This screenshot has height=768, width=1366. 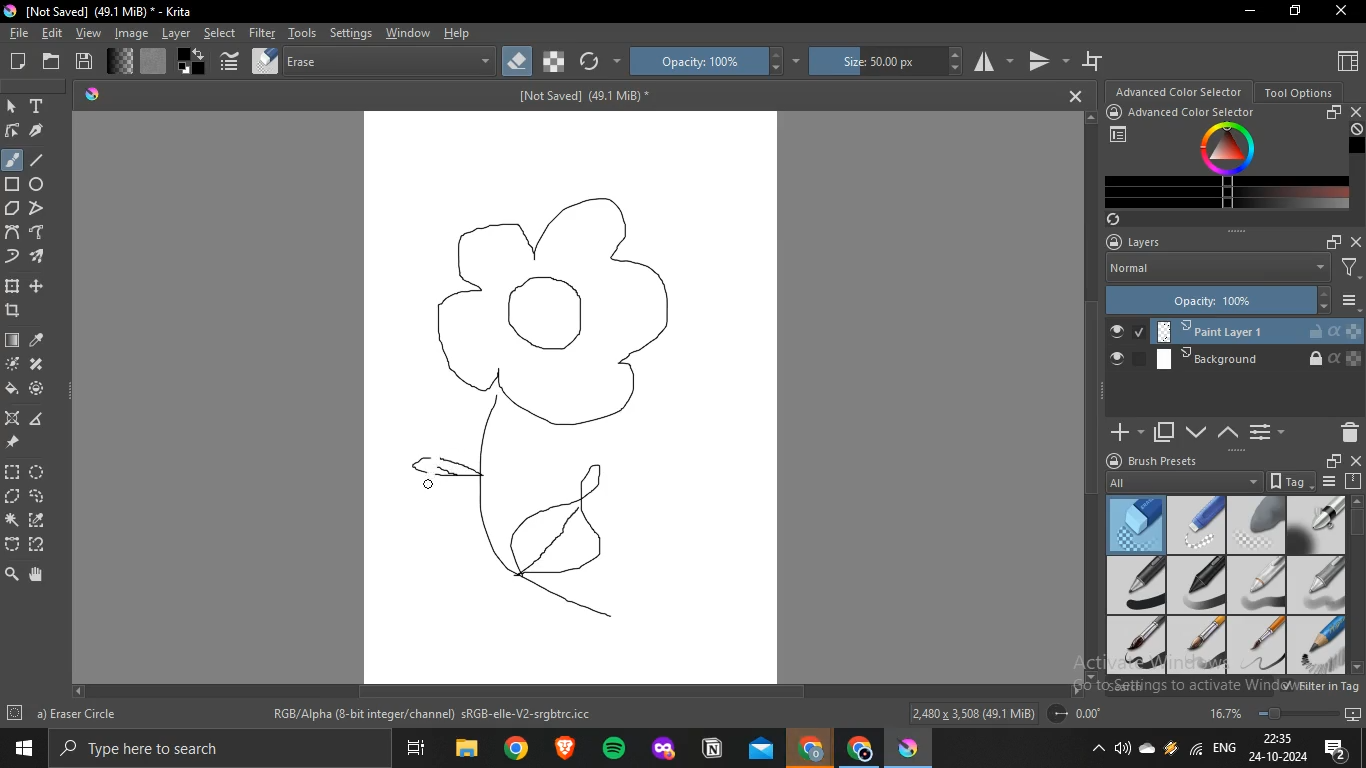 I want to click on b) Basic-6 Details, so click(x=84, y=713).